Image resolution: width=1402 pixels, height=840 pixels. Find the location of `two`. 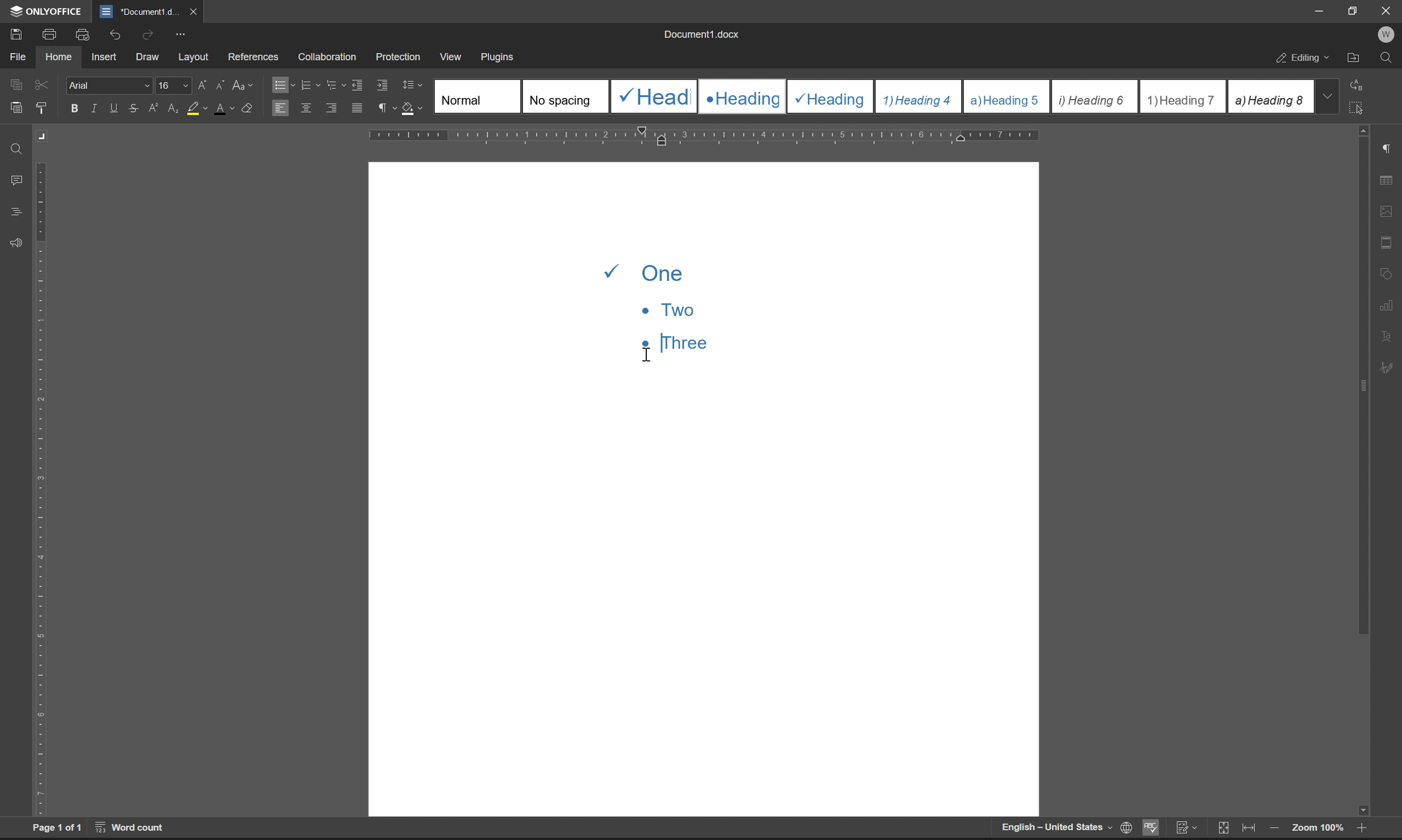

two is located at coordinates (653, 310).